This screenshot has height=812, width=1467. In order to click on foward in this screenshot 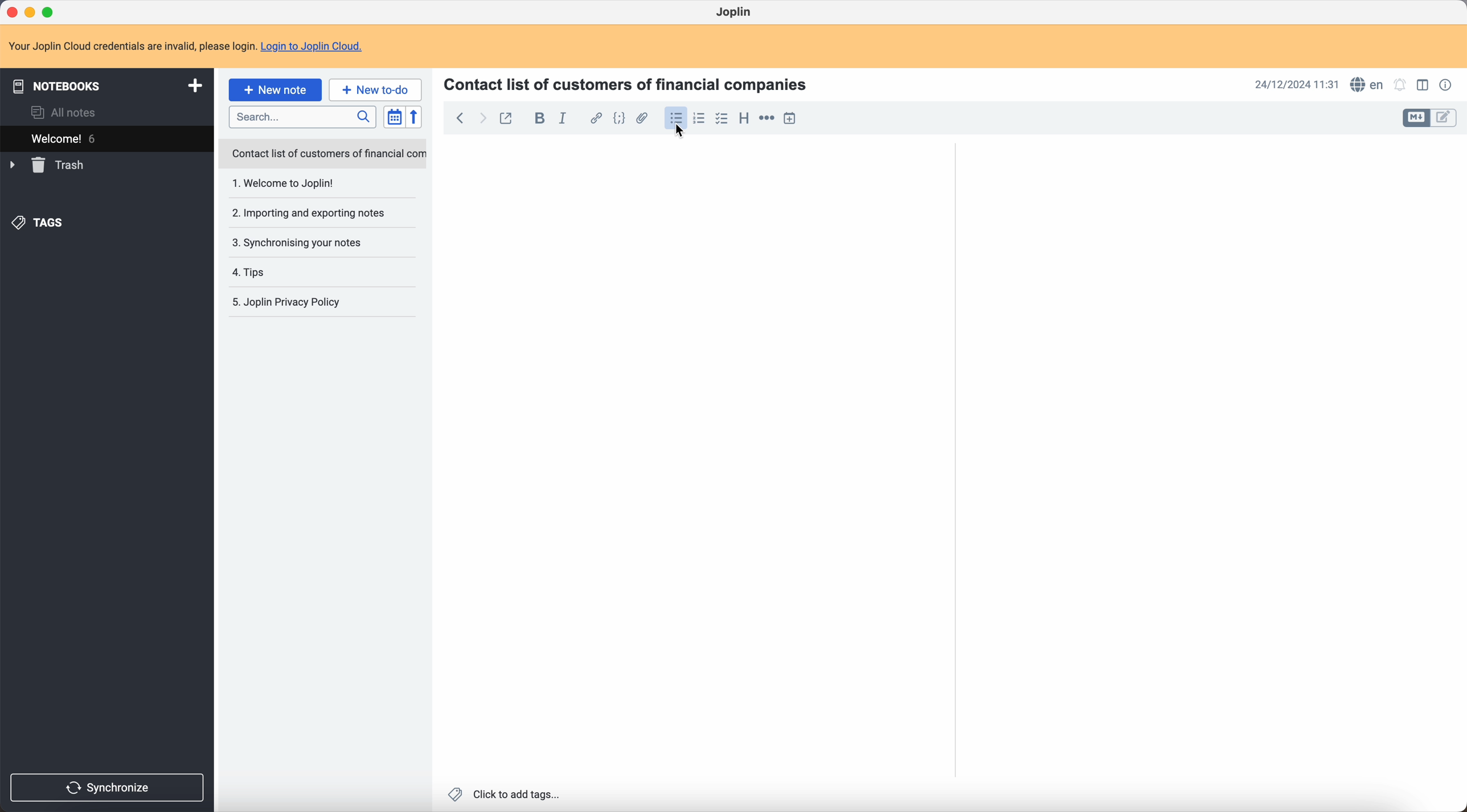, I will do `click(483, 119)`.